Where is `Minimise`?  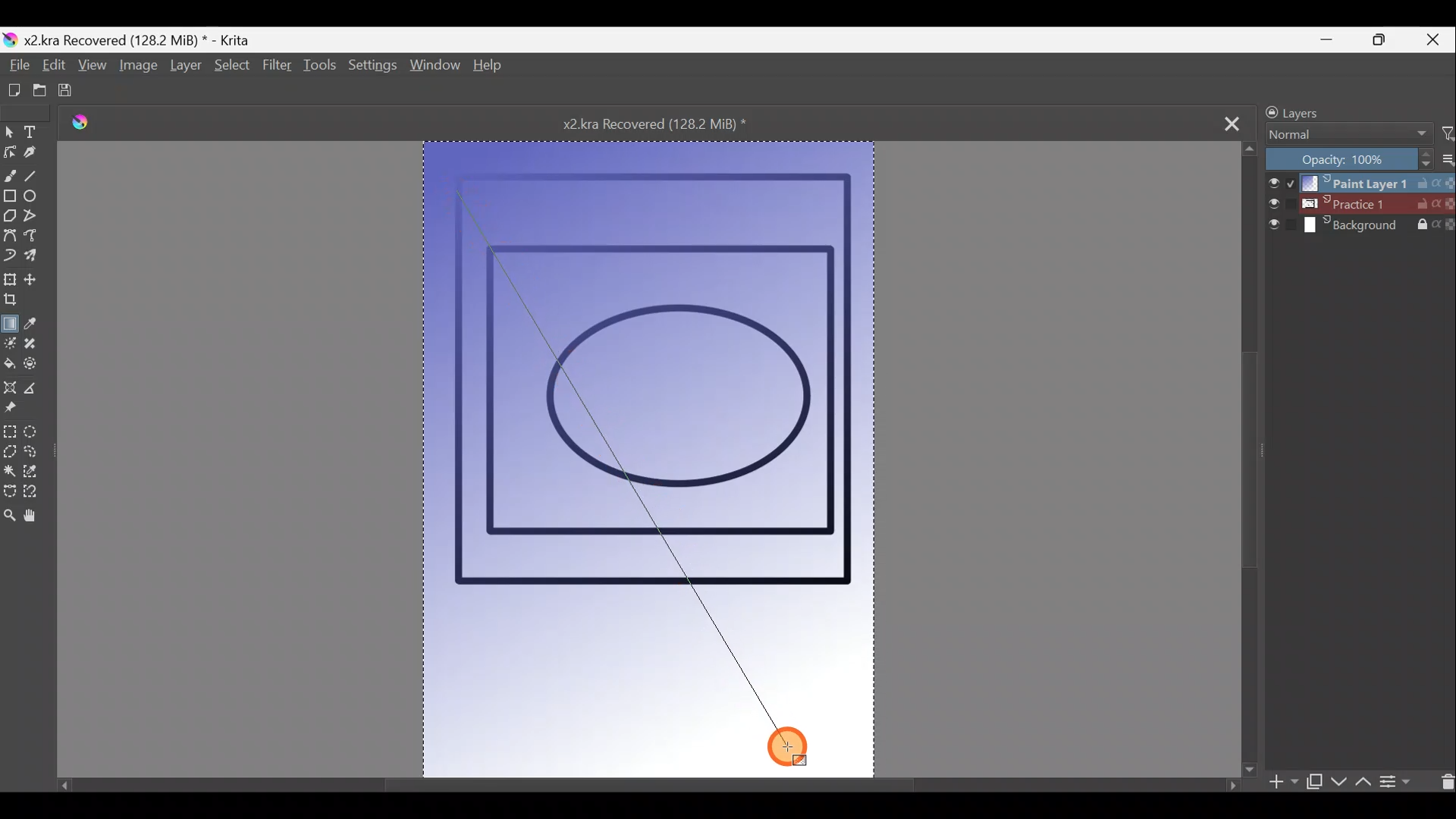 Minimise is located at coordinates (1334, 39).